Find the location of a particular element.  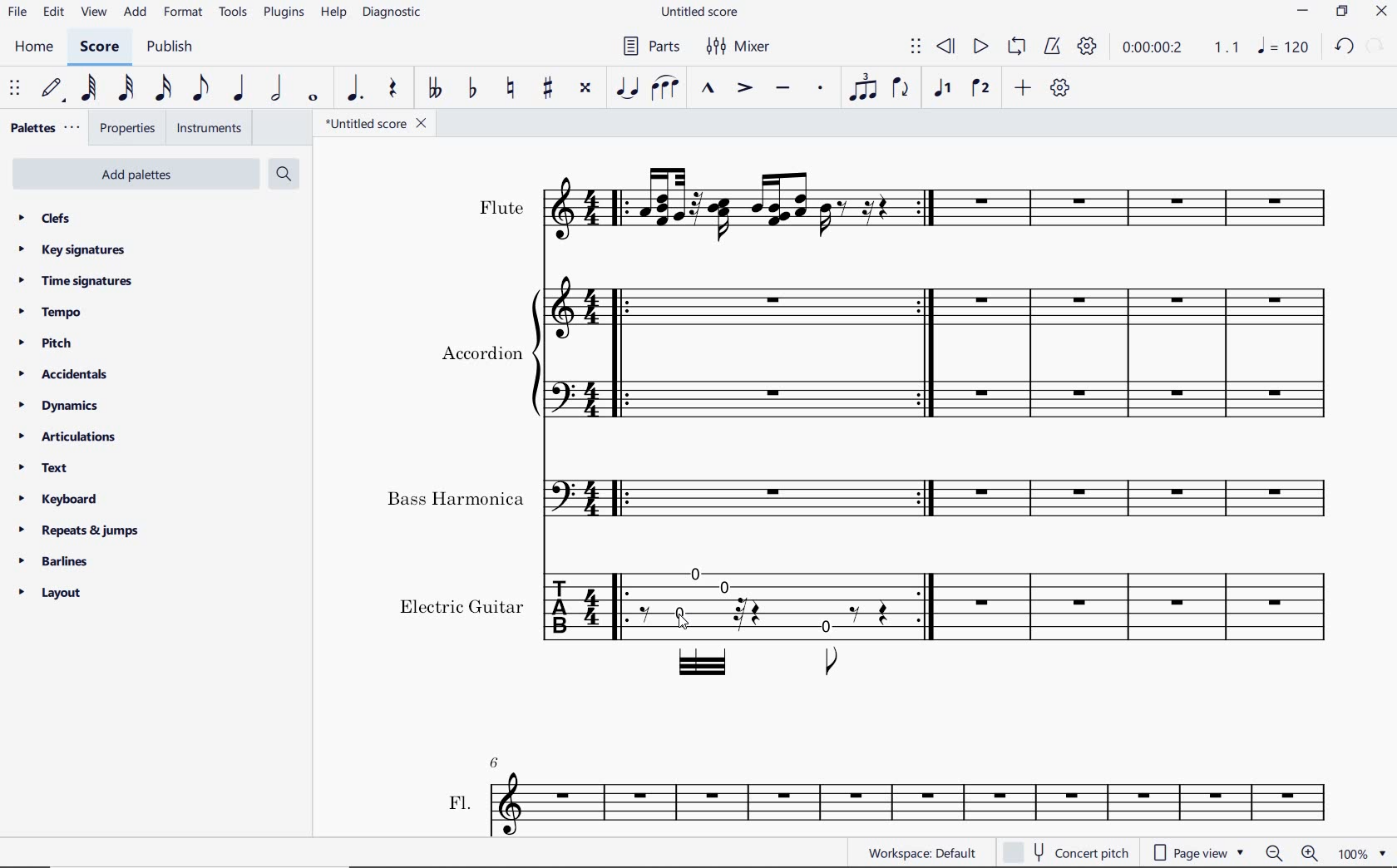

NOTE is located at coordinates (1285, 47).